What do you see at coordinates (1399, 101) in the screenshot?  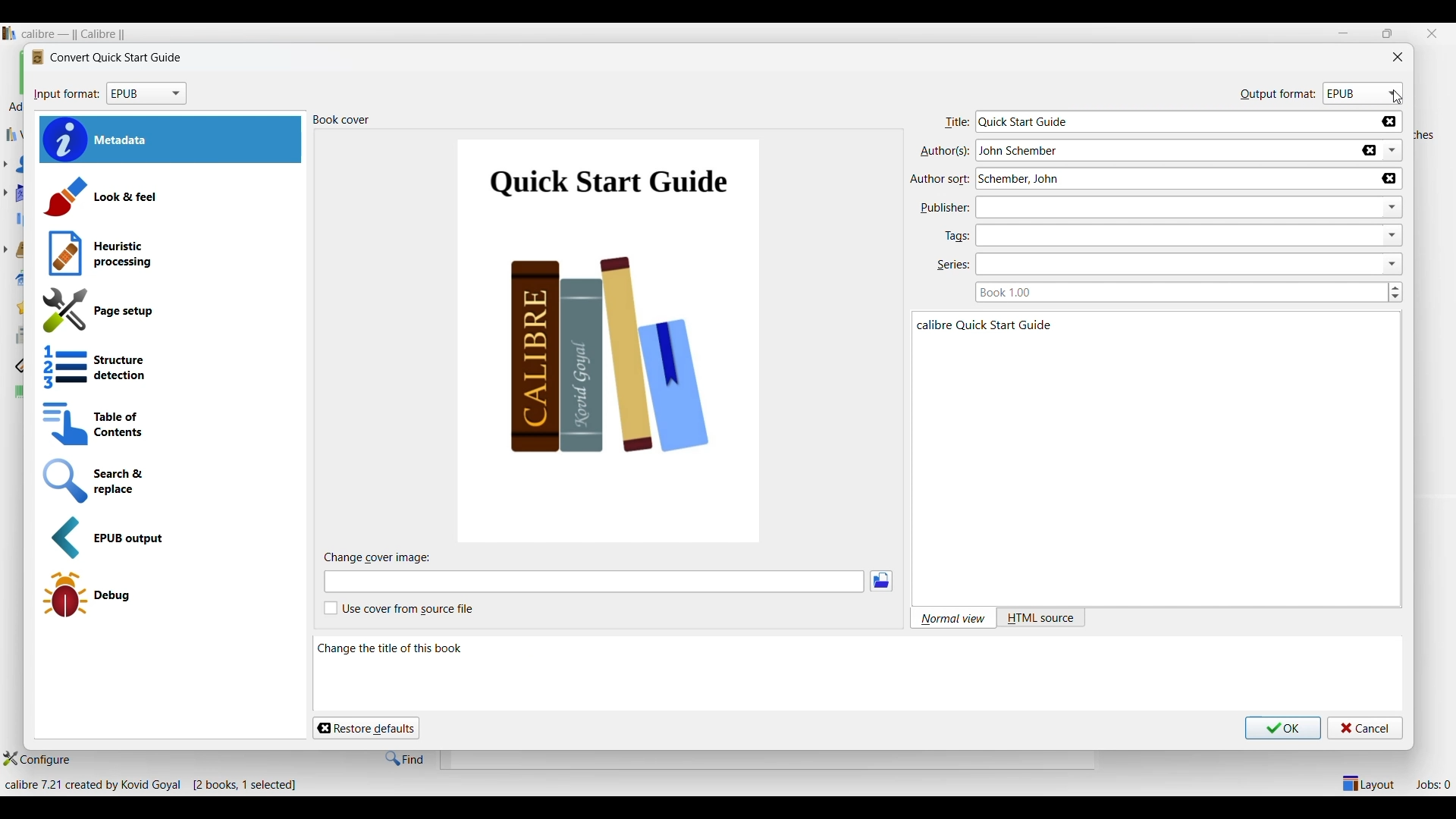 I see `cursor` at bounding box center [1399, 101].